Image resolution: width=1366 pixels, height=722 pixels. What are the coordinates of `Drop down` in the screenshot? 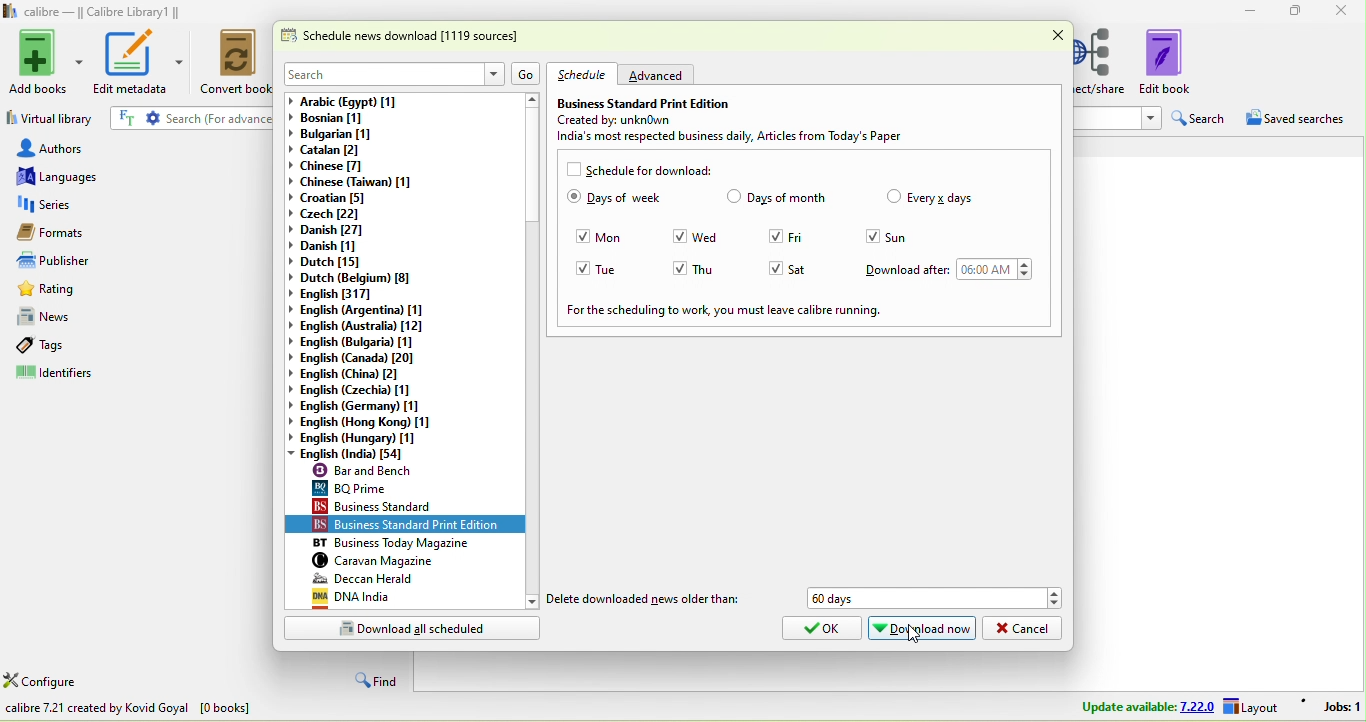 It's located at (1055, 599).